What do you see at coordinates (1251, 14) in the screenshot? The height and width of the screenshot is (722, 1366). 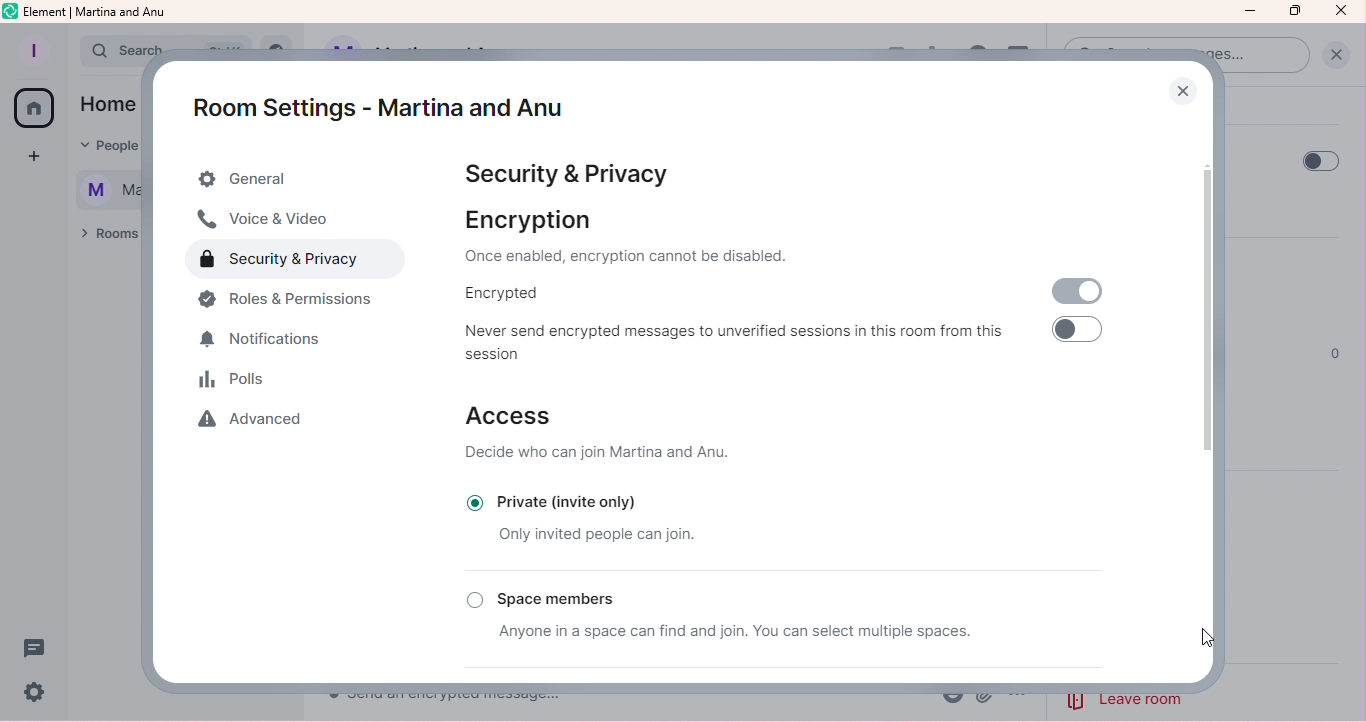 I see `Minimize` at bounding box center [1251, 14].